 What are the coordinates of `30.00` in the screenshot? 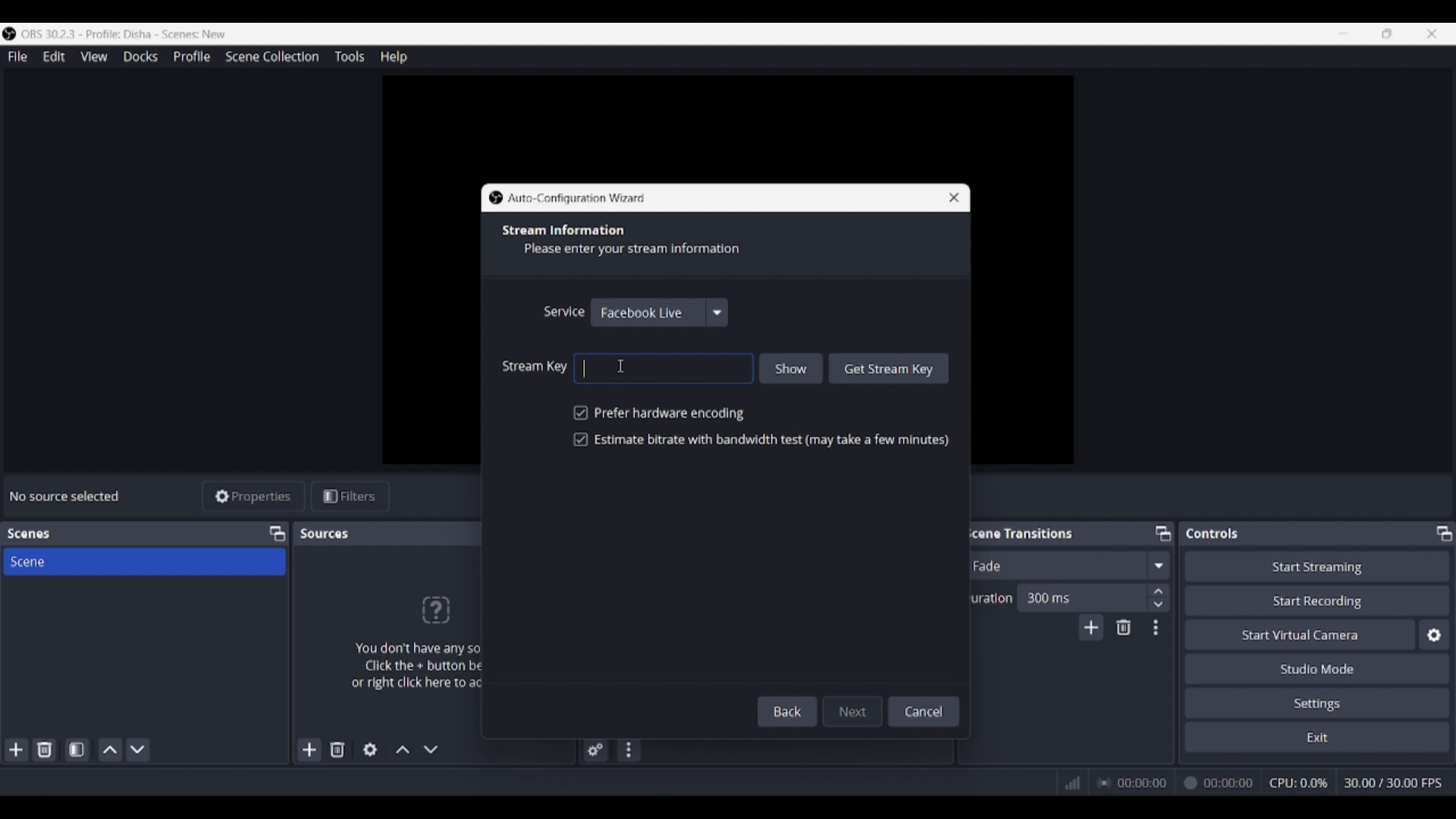 It's located at (1394, 782).